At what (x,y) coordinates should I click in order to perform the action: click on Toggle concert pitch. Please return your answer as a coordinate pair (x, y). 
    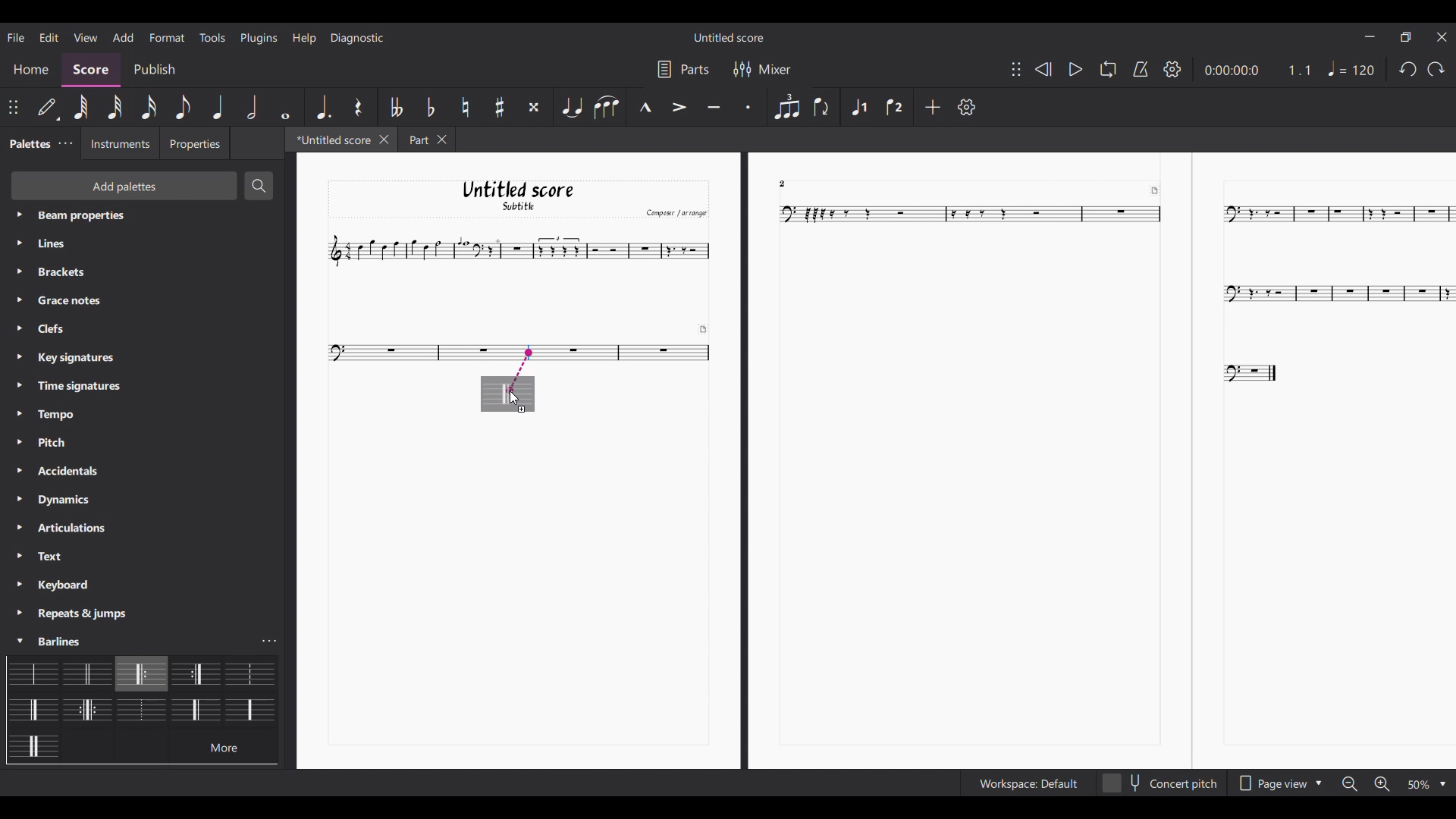
    Looking at the image, I should click on (1160, 783).